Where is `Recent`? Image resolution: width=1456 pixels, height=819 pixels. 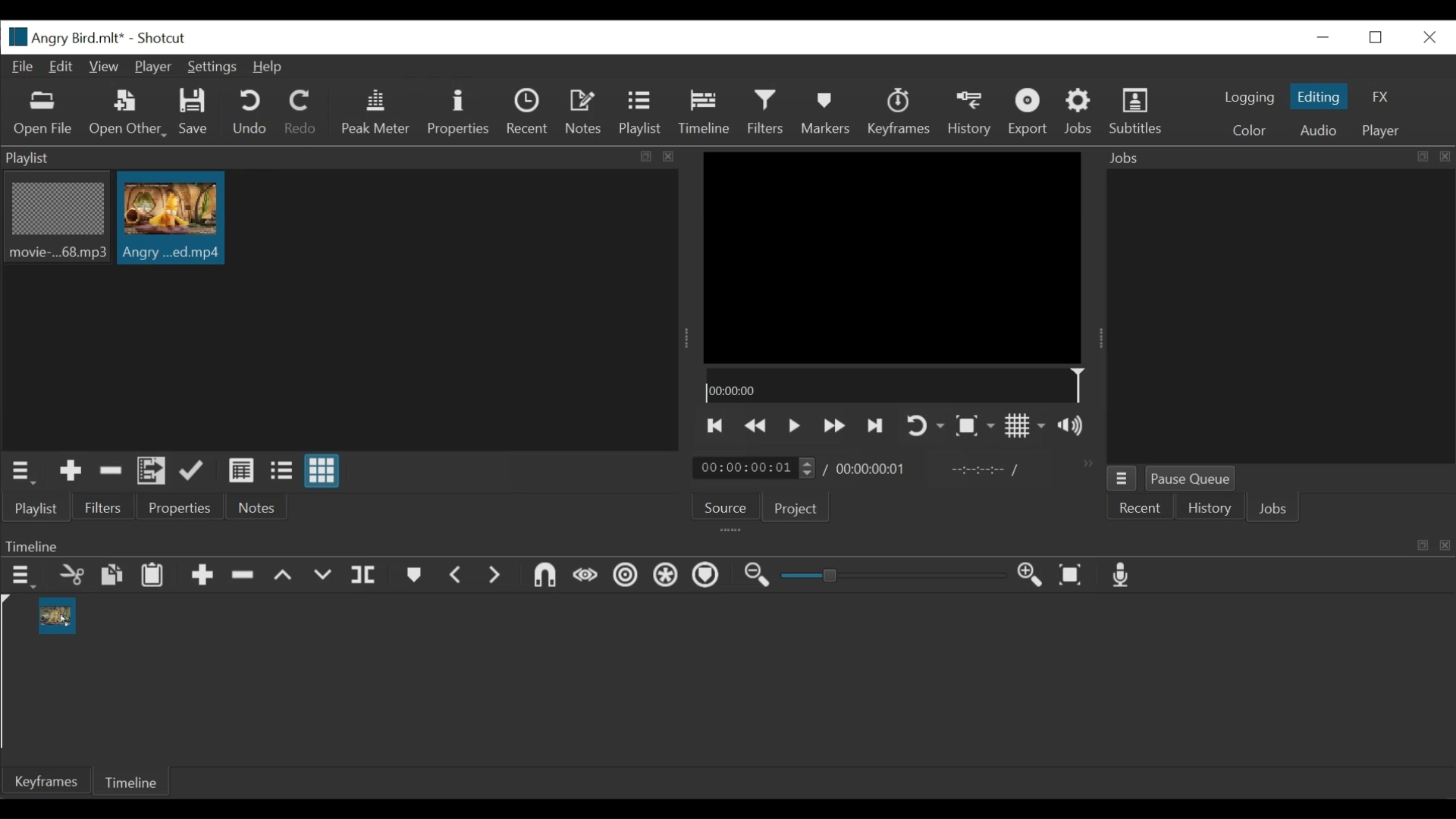 Recent is located at coordinates (1141, 507).